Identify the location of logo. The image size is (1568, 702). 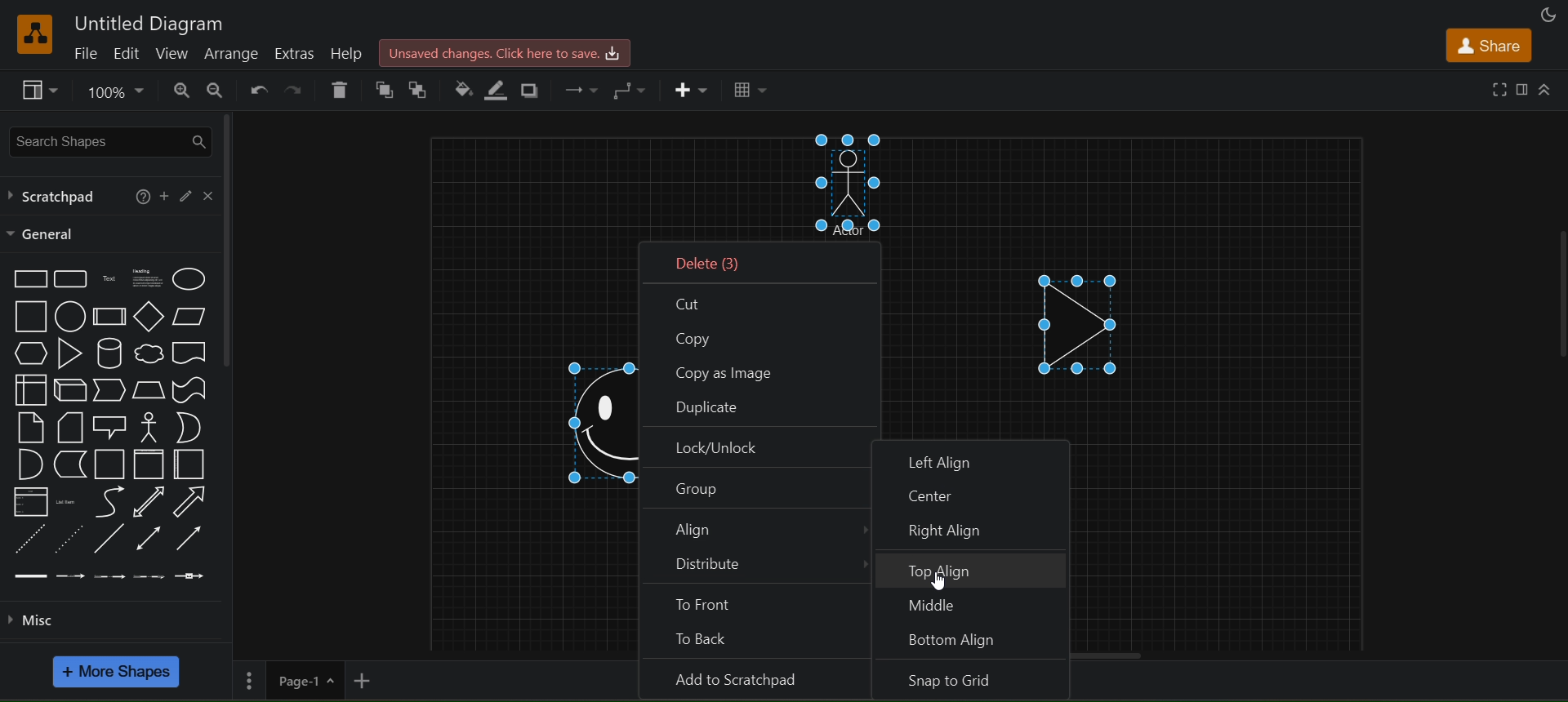
(34, 33).